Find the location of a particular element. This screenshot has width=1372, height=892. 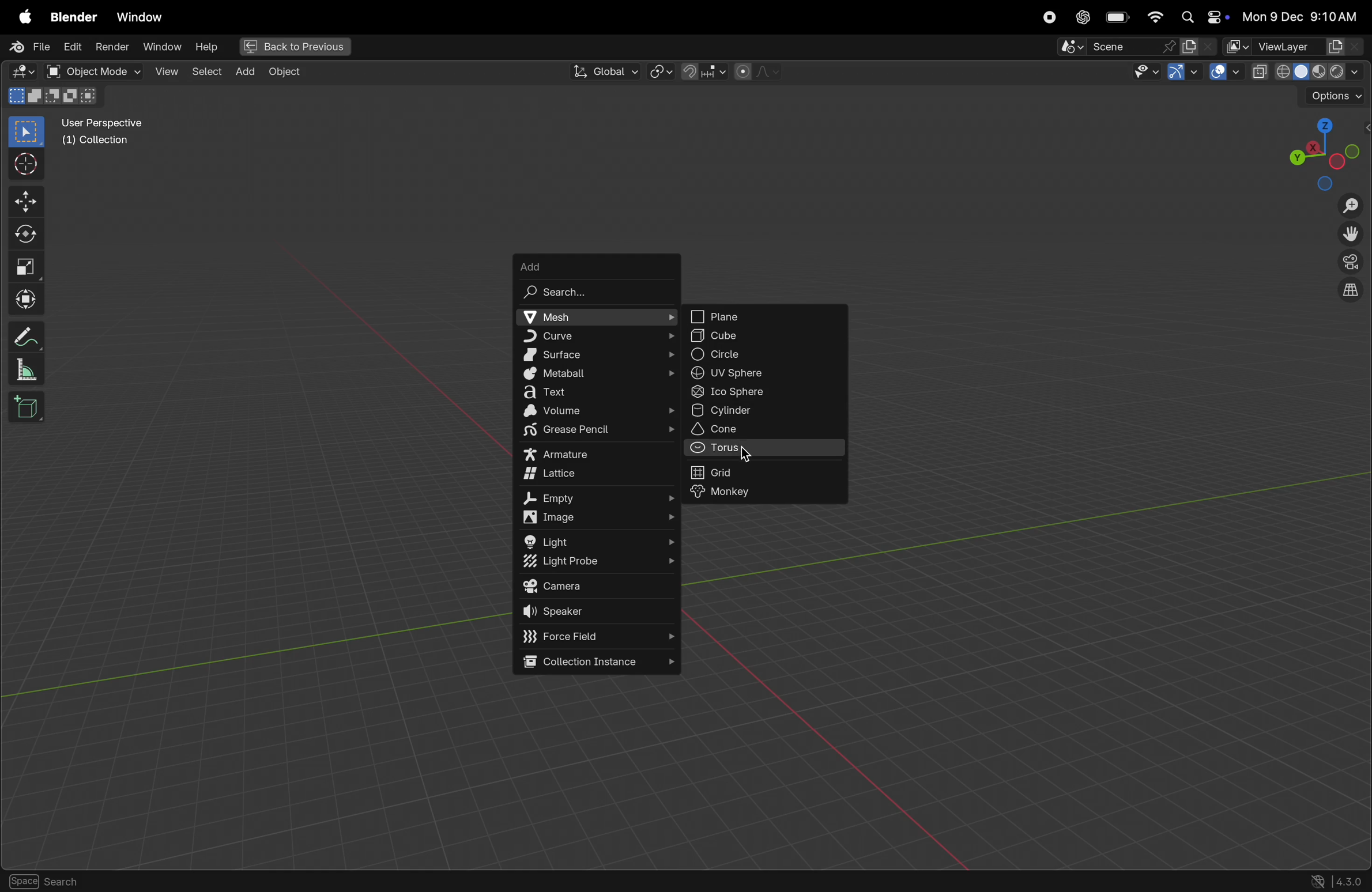

add is located at coordinates (597, 263).